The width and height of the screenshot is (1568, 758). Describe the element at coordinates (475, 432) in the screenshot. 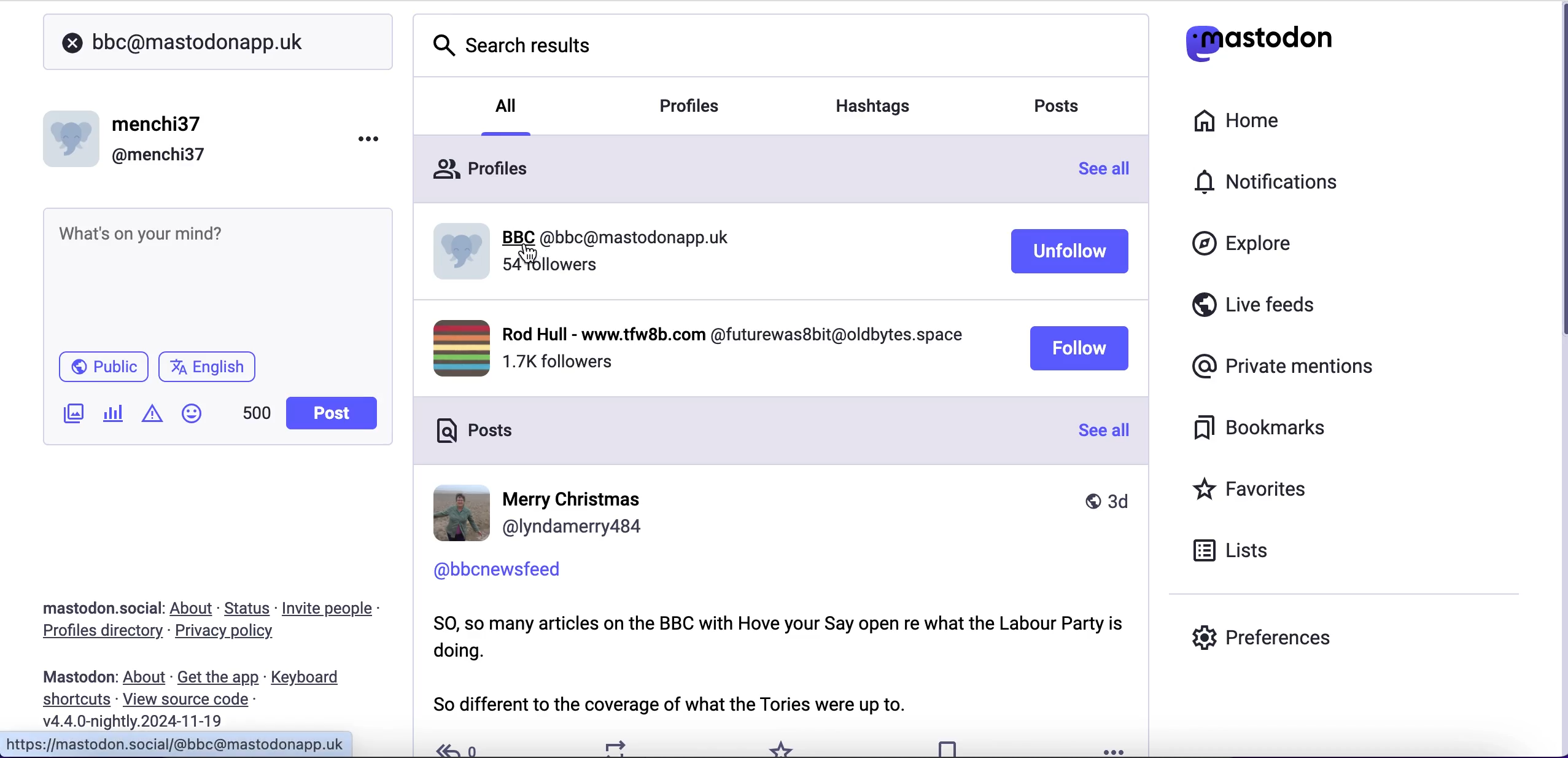

I see `posts` at that location.